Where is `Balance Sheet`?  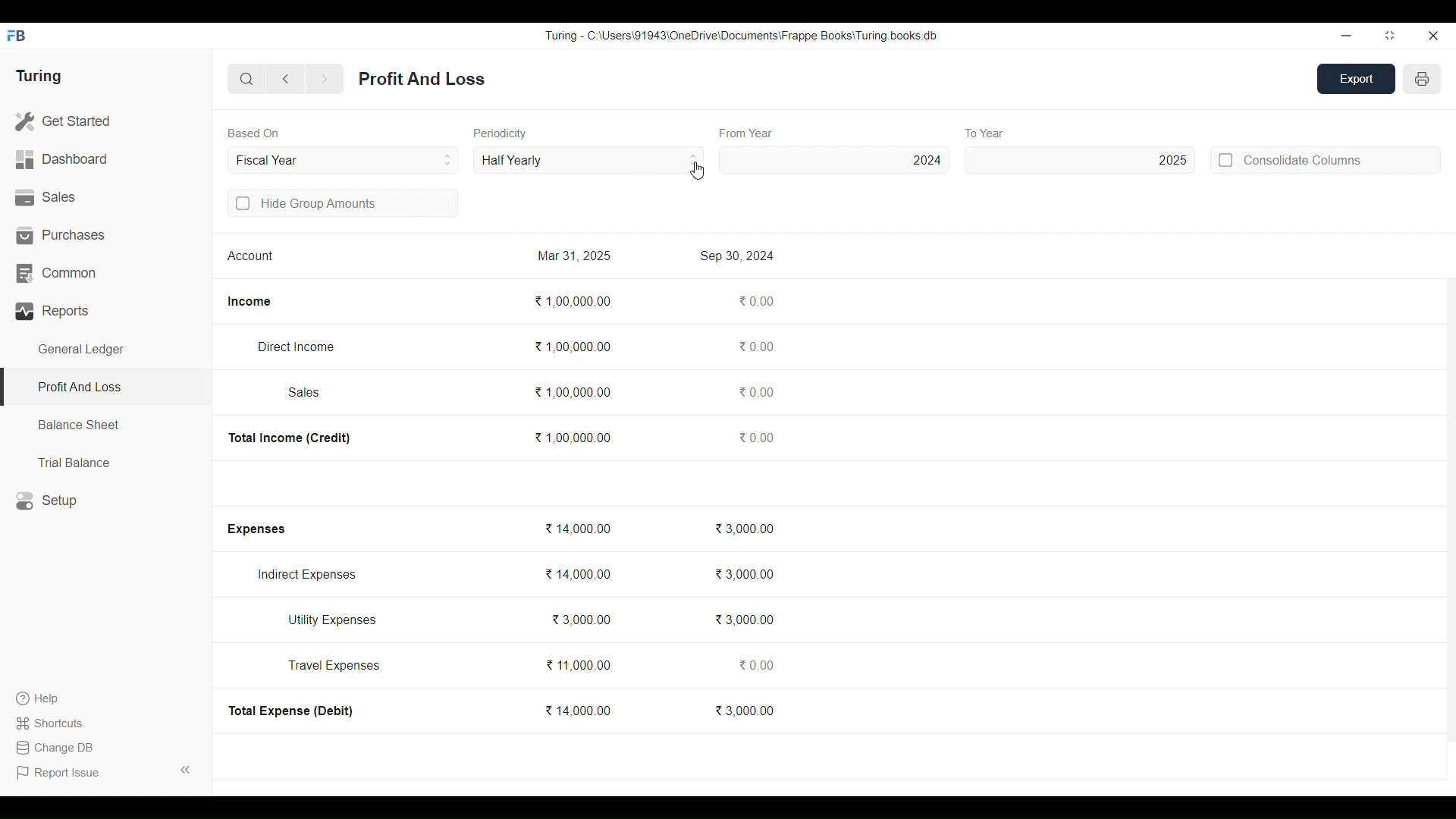 Balance Sheet is located at coordinates (106, 425).